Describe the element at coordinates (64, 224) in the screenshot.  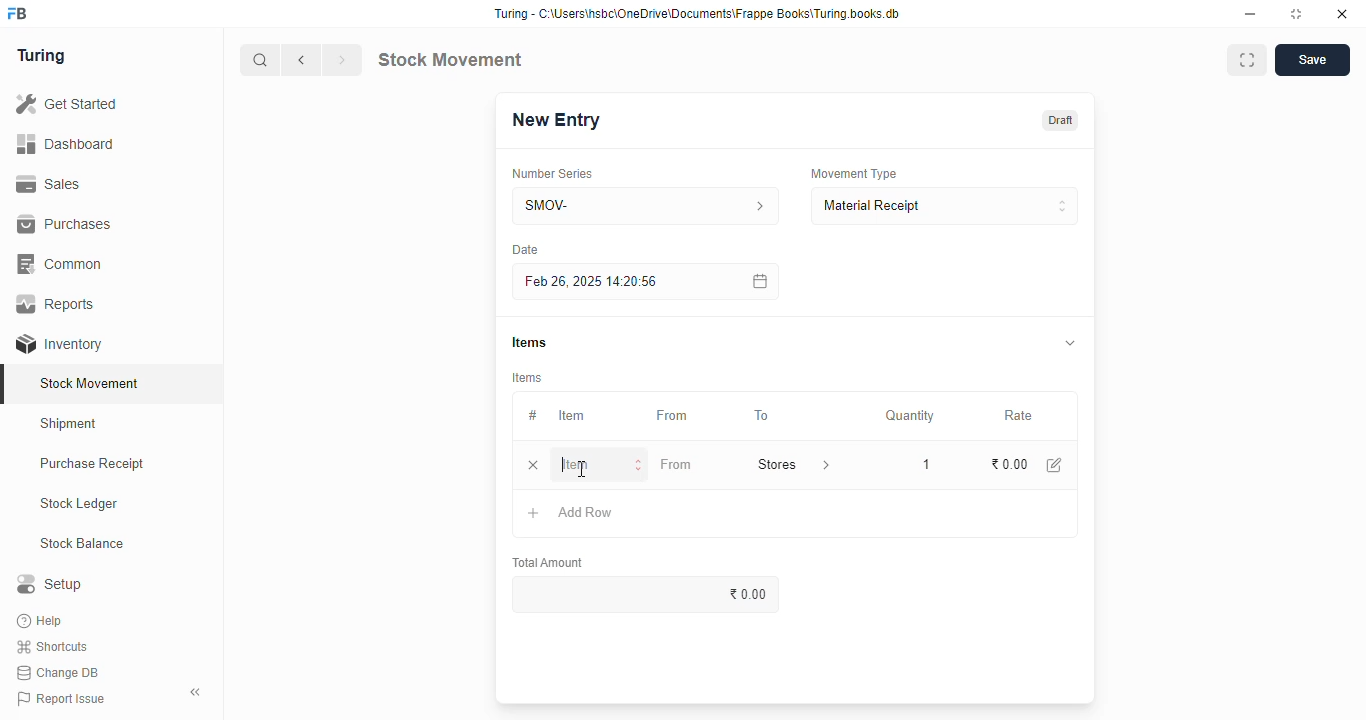
I see `purchases` at that location.